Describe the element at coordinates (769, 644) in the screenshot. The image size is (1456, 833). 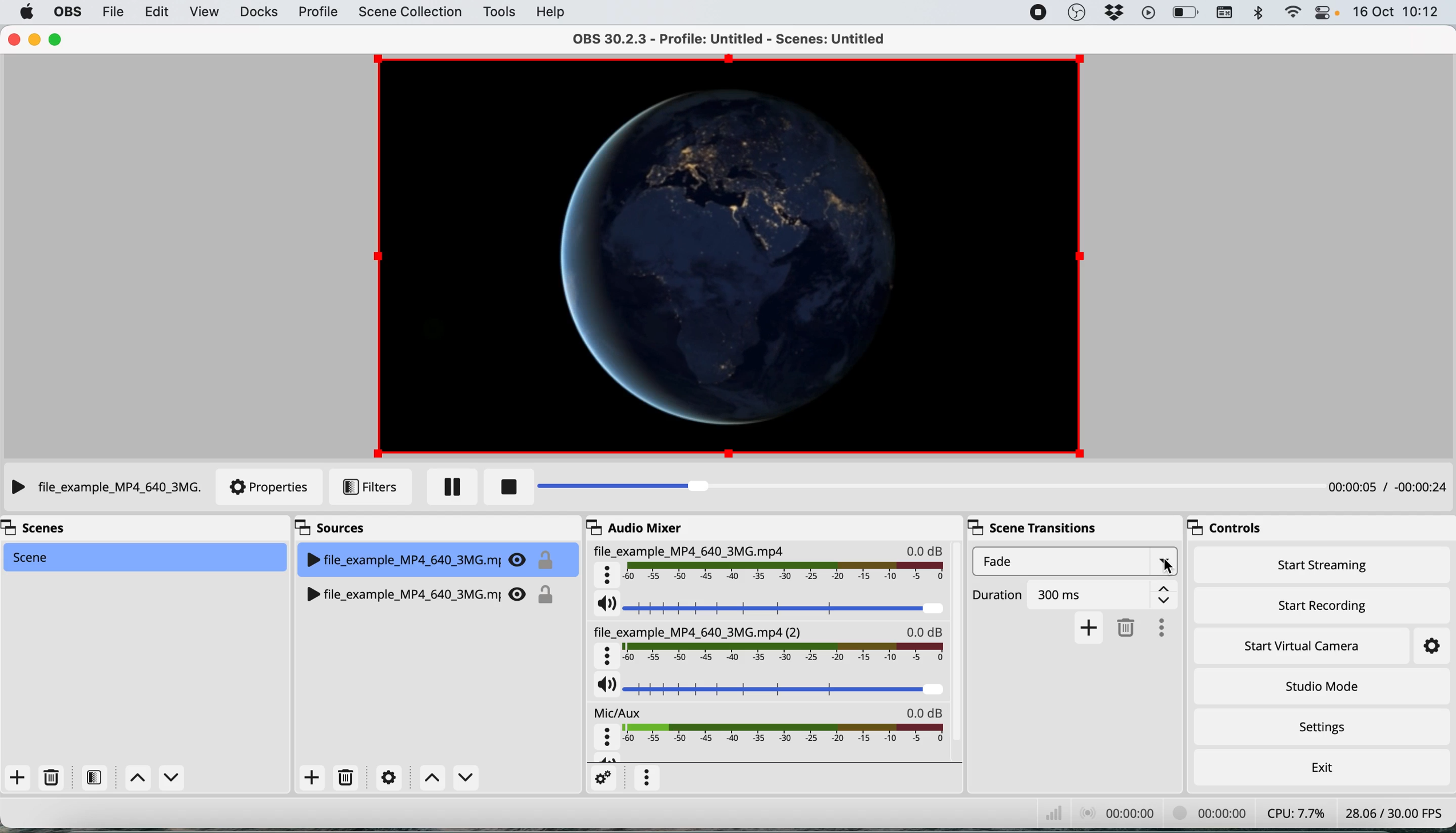
I see `file_example_MP4_640_3MG.mp4(2)` at that location.